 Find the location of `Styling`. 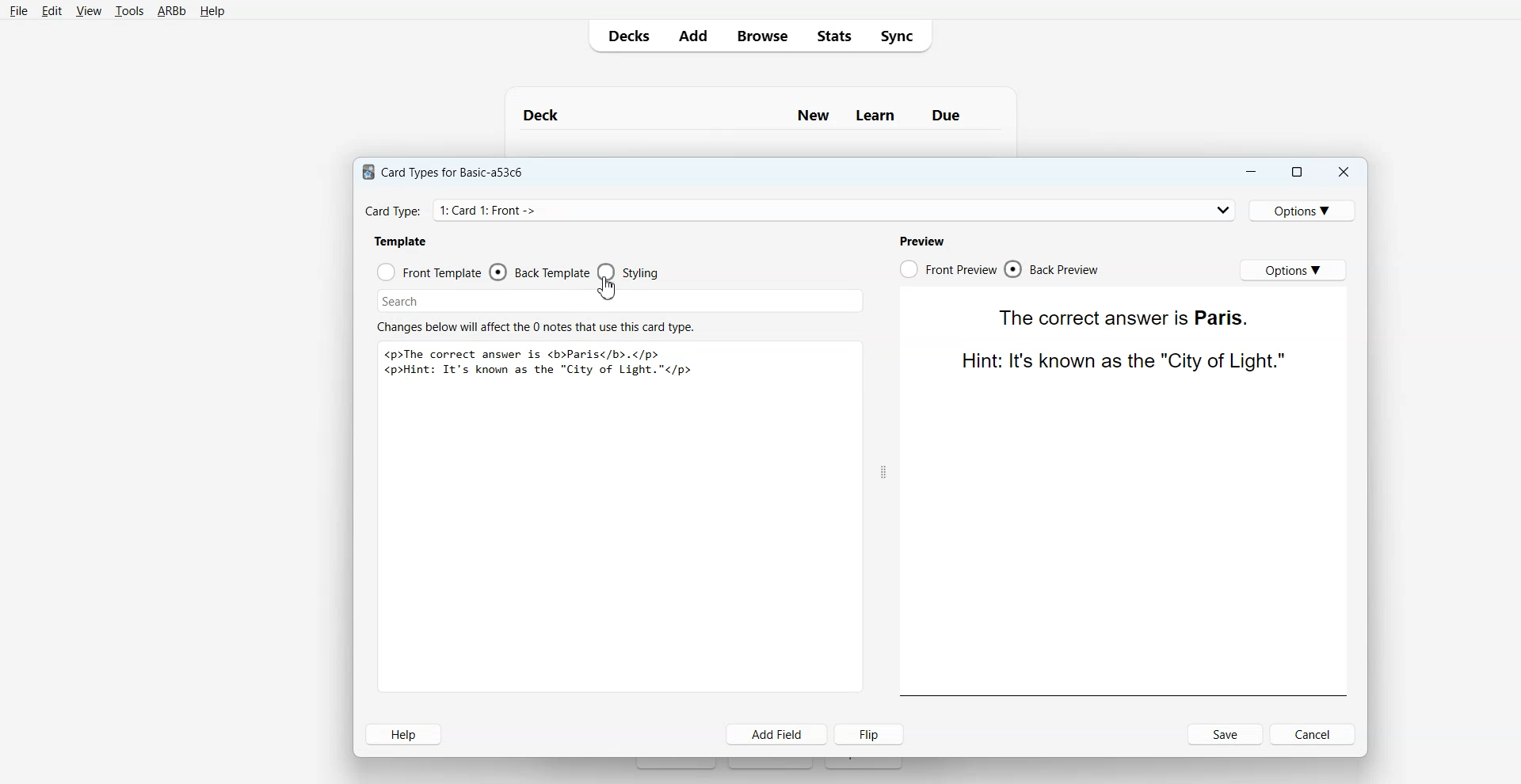

Styling is located at coordinates (630, 272).